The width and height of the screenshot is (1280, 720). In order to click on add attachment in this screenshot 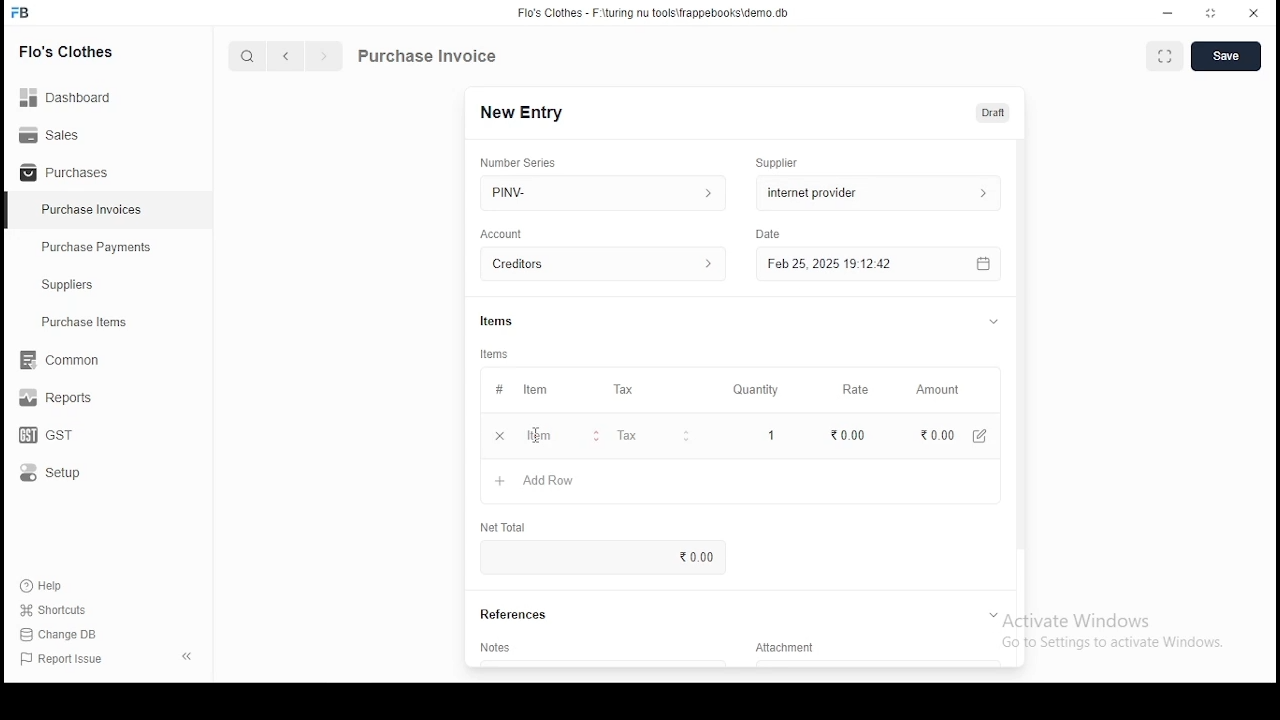, I will do `click(878, 664)`.